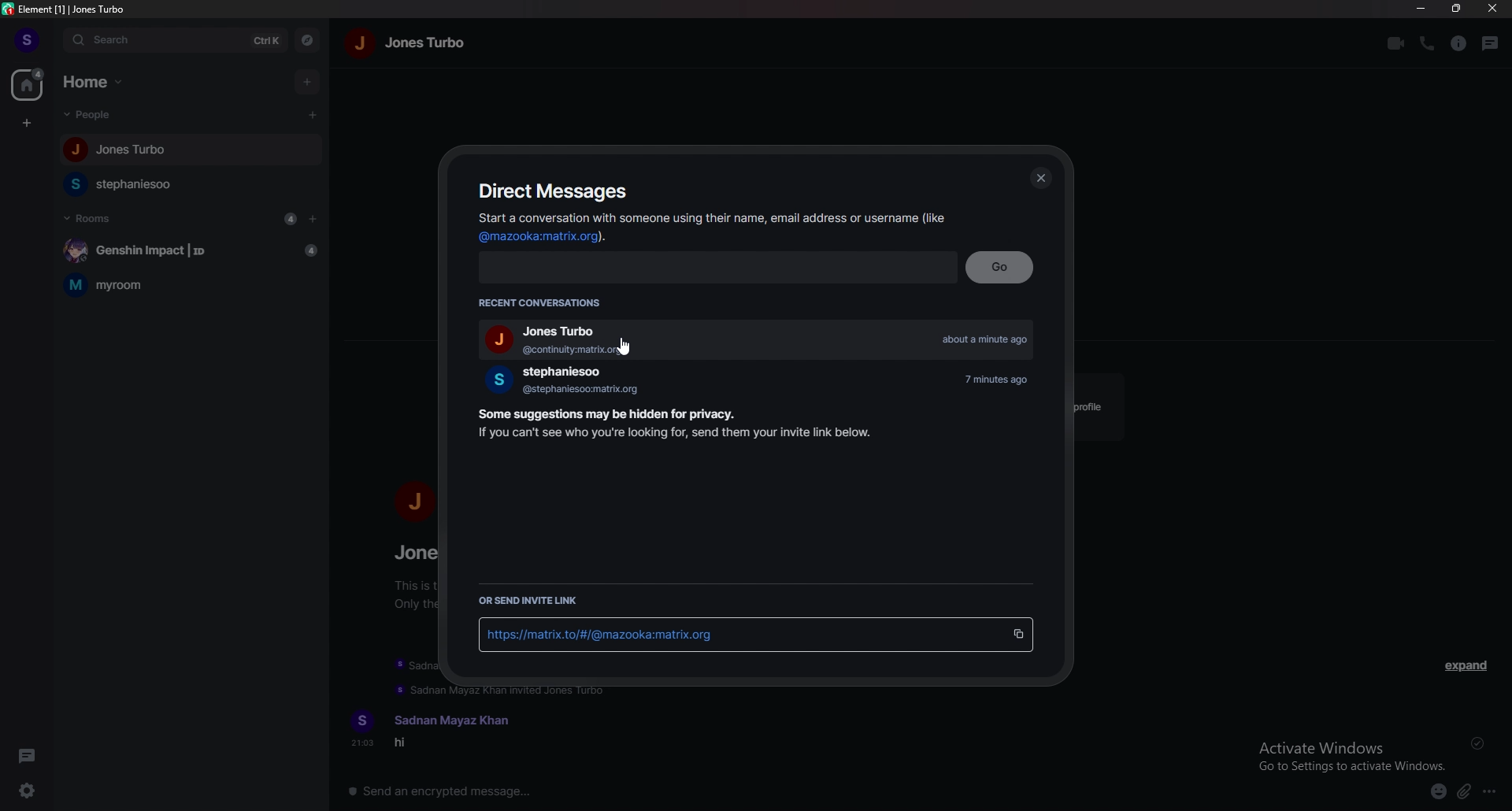 The height and width of the screenshot is (811, 1512). I want to click on expand, so click(1468, 668).